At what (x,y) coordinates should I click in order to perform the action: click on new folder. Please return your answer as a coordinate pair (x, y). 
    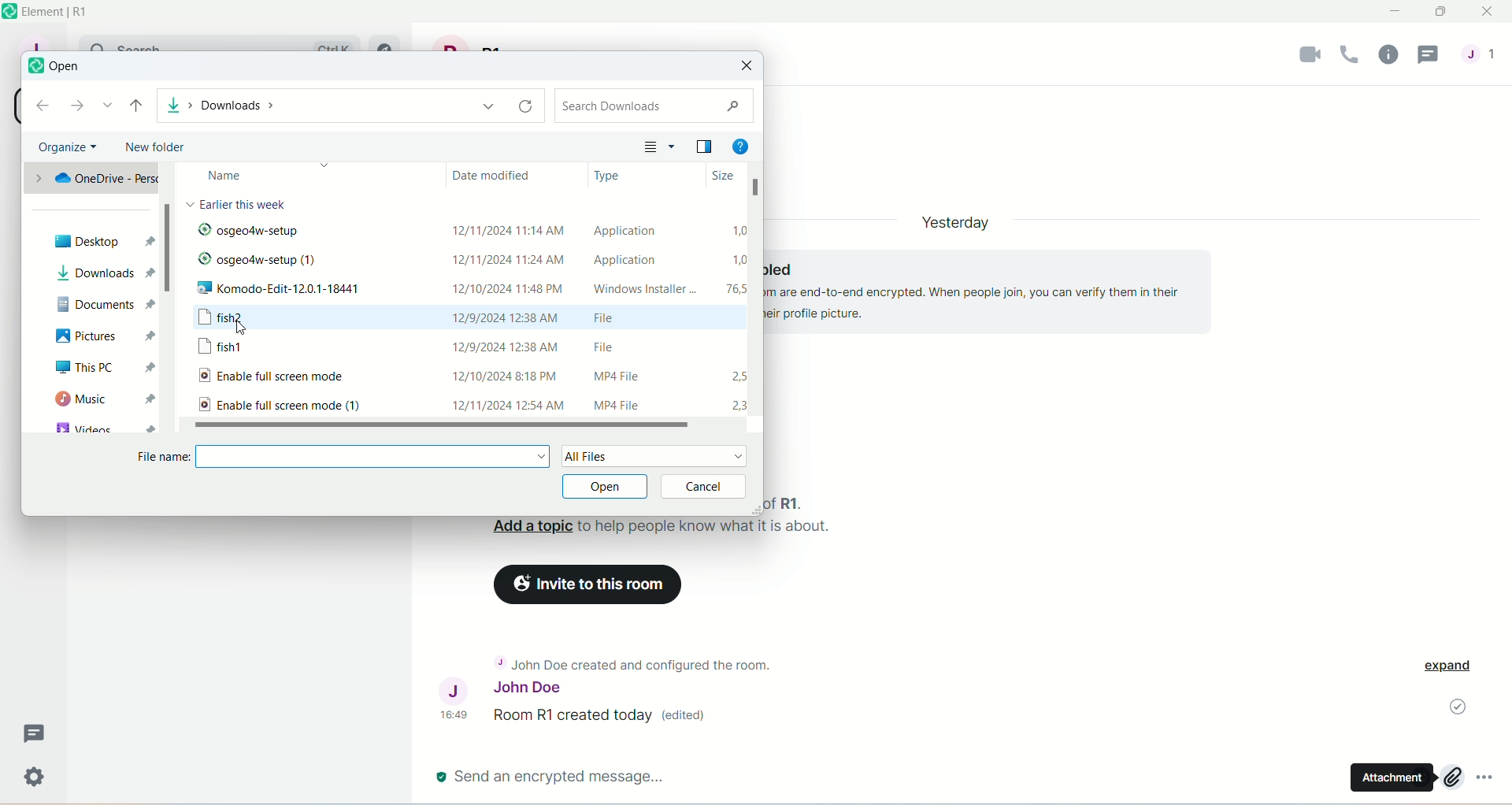
    Looking at the image, I should click on (153, 147).